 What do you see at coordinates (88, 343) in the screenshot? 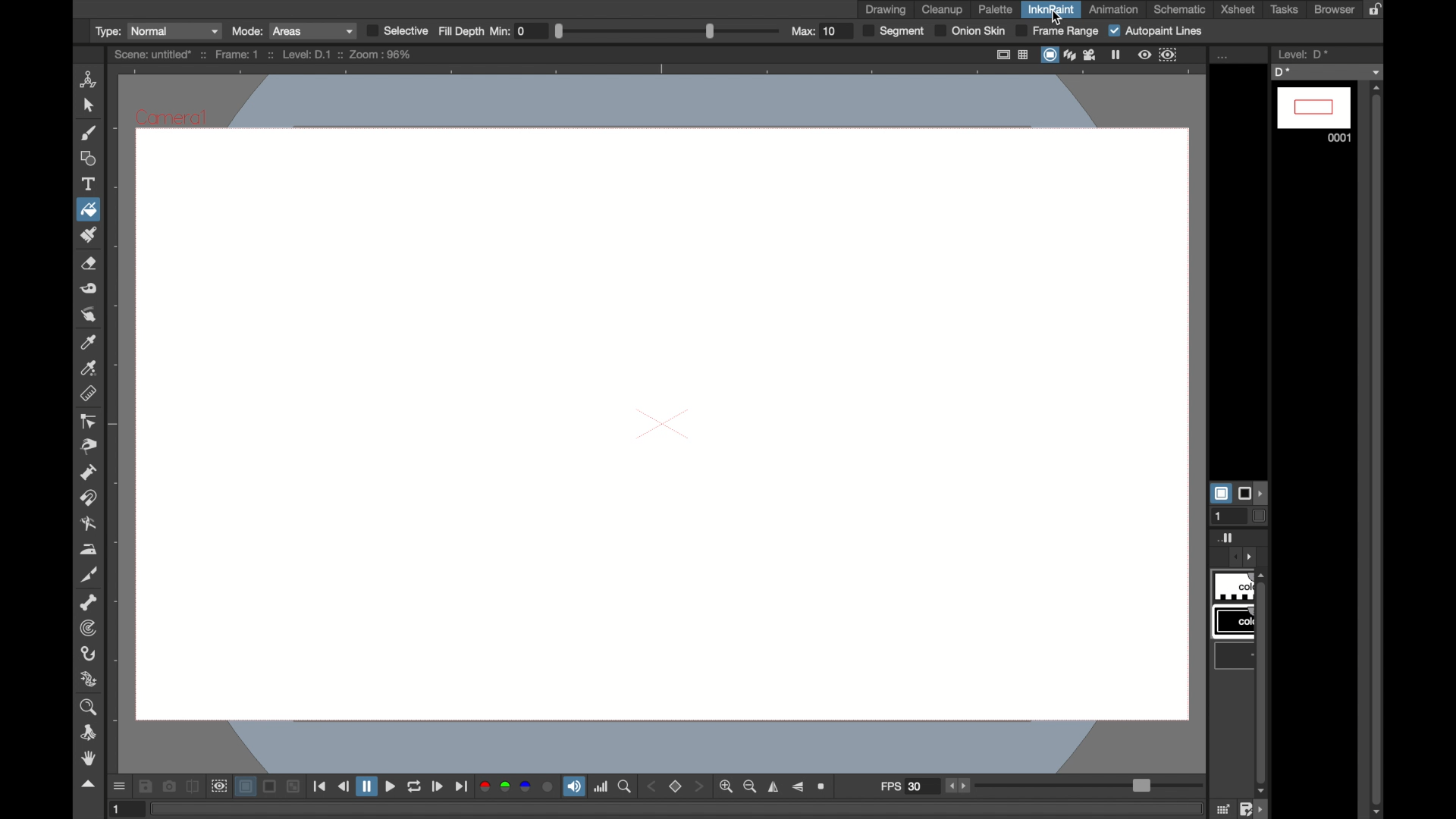
I see `color picker tool` at bounding box center [88, 343].